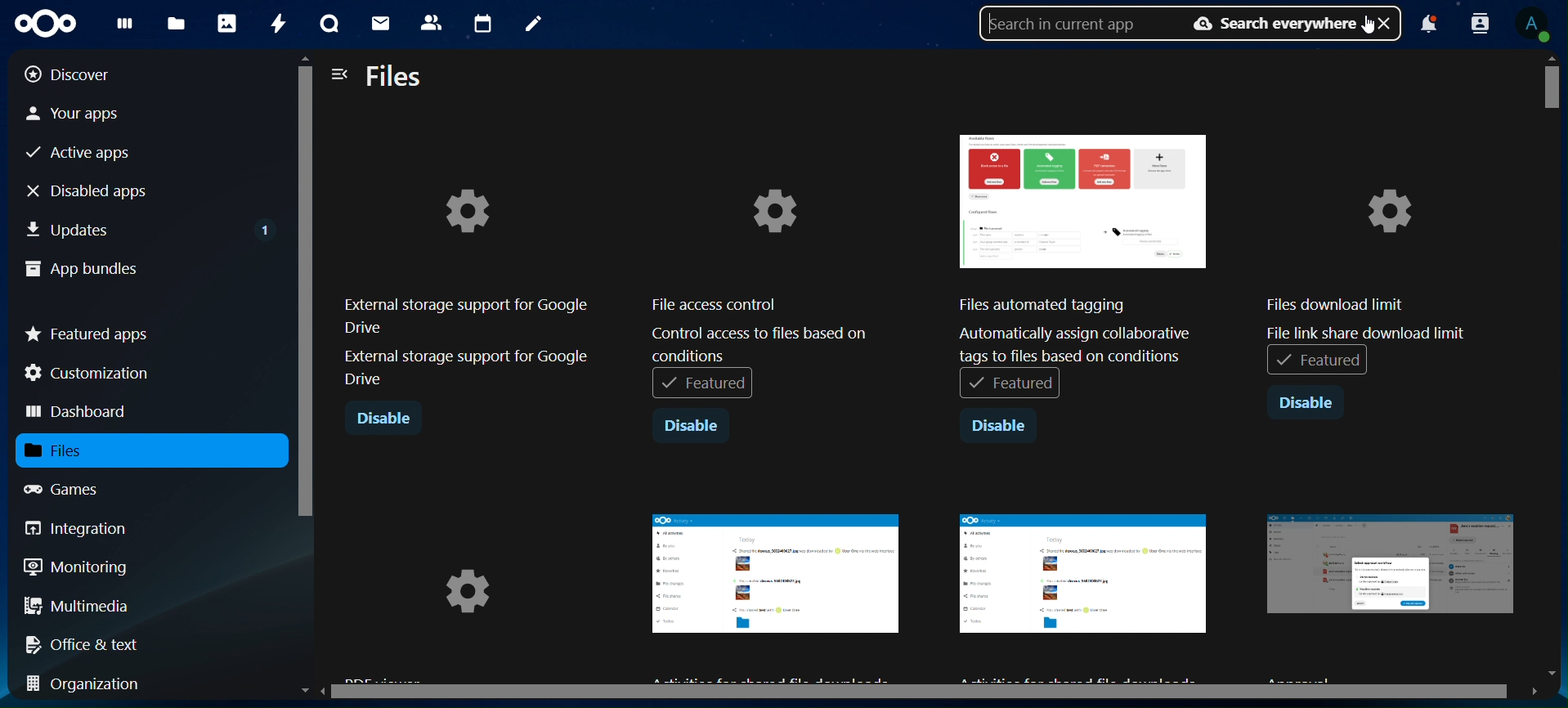 The height and width of the screenshot is (708, 1568). Describe the element at coordinates (383, 25) in the screenshot. I see `mail` at that location.